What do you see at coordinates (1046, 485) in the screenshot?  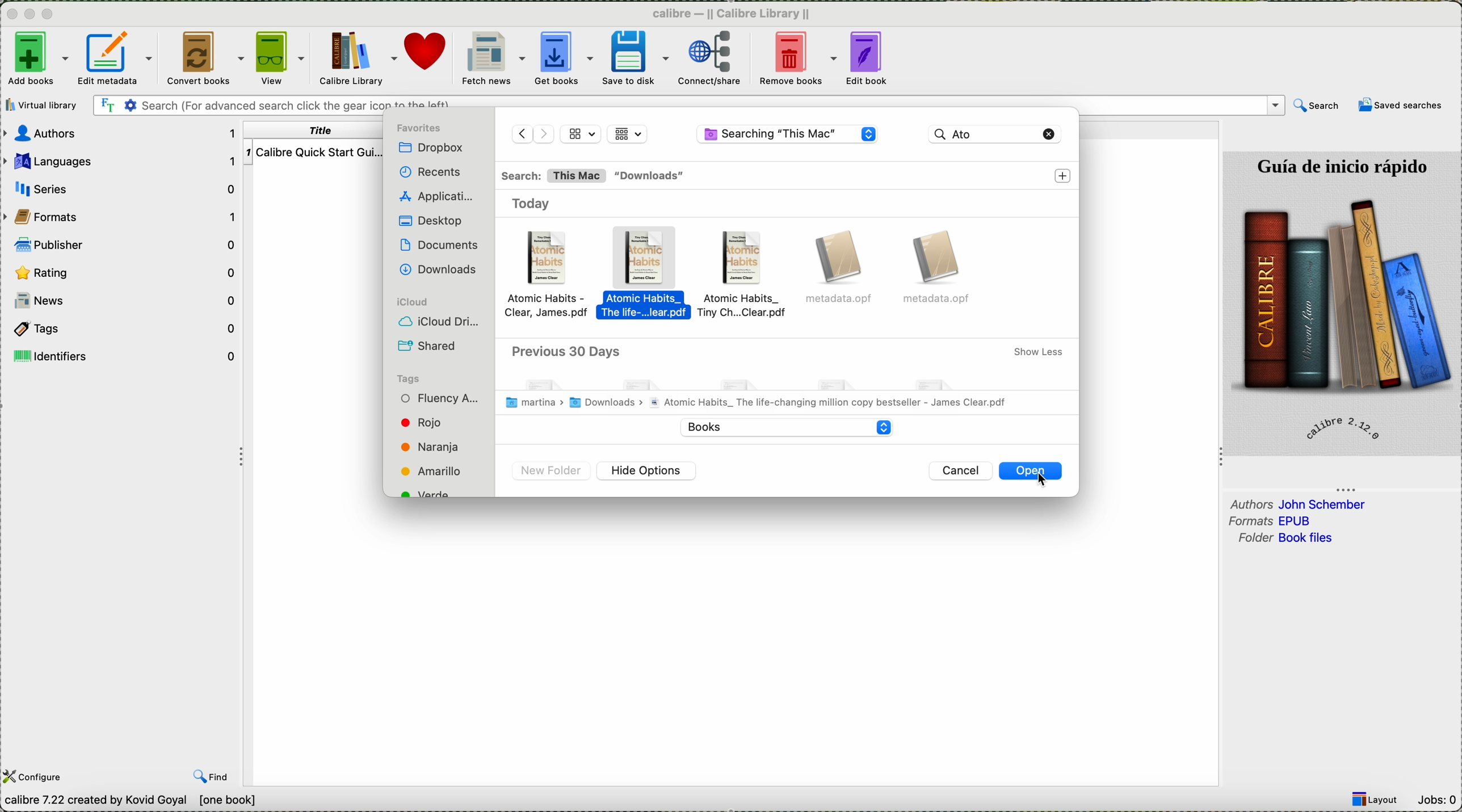 I see `cursor` at bounding box center [1046, 485].